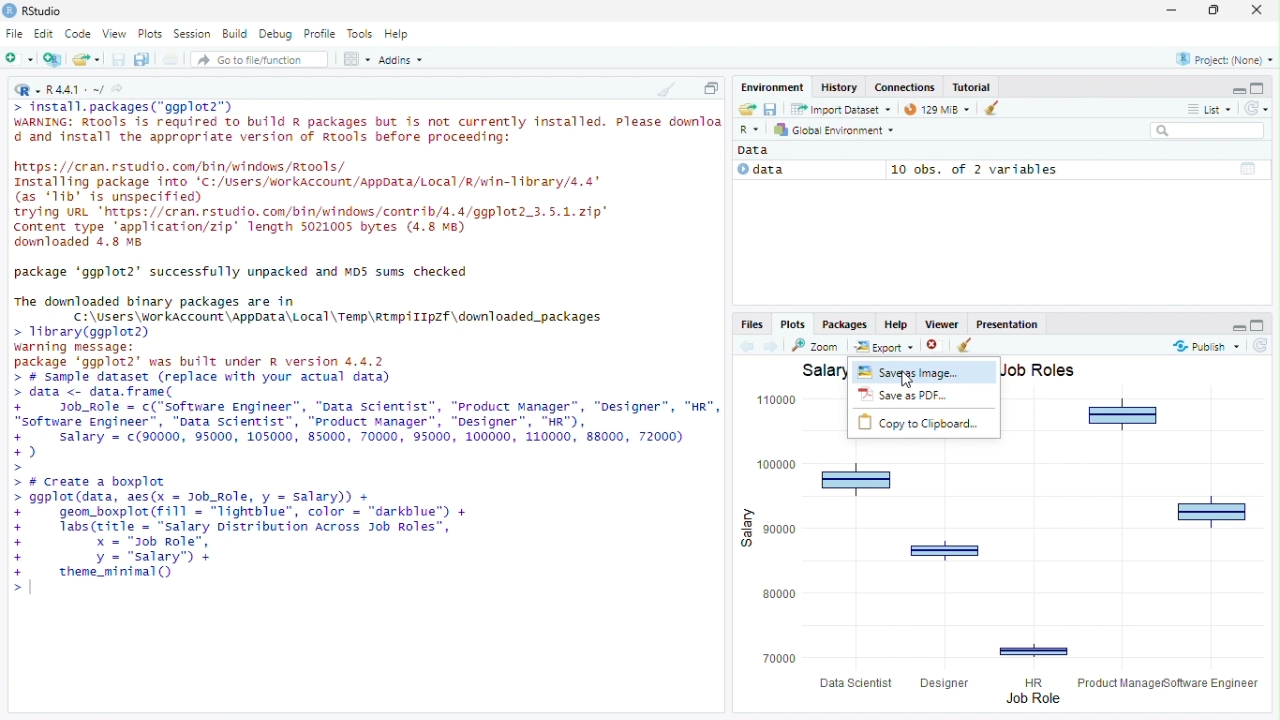 This screenshot has width=1280, height=720. Describe the element at coordinates (758, 151) in the screenshot. I see `Data` at that location.